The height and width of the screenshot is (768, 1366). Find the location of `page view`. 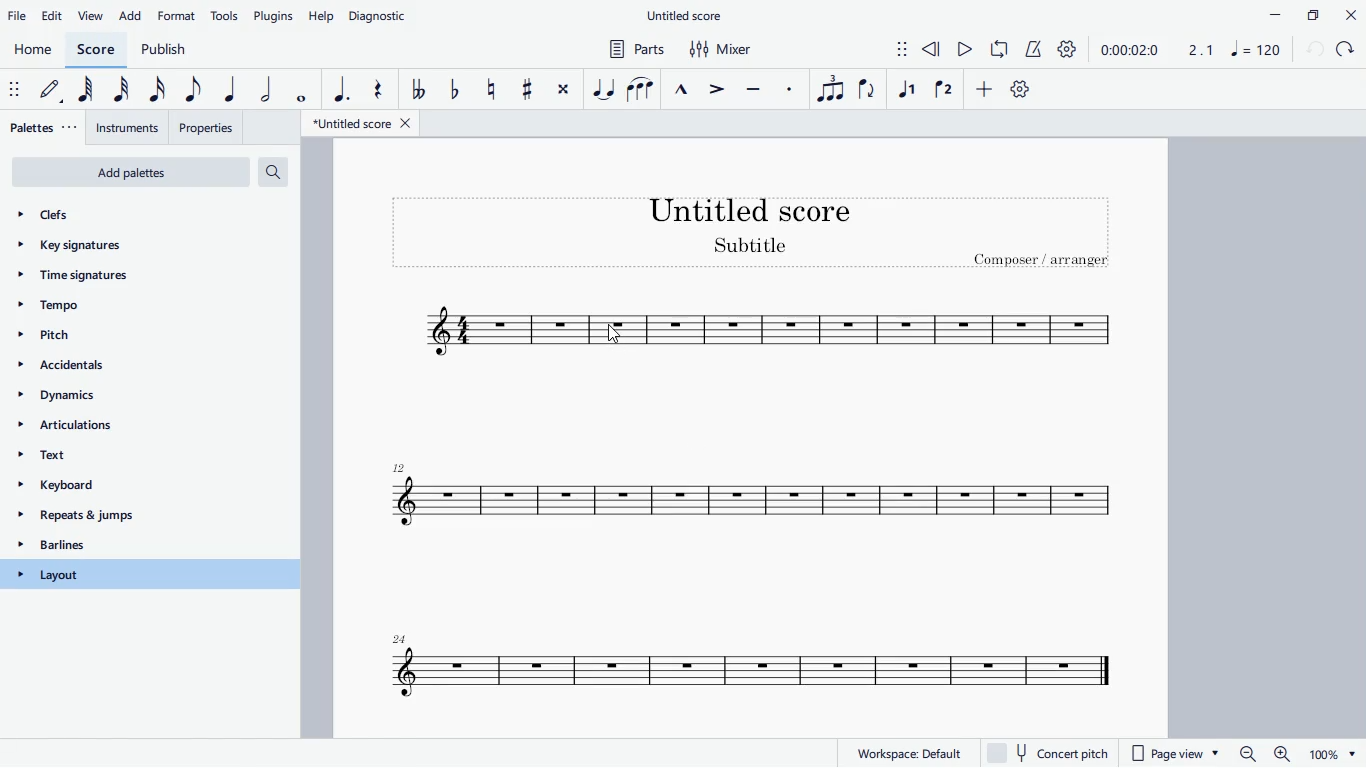

page view is located at coordinates (1178, 754).